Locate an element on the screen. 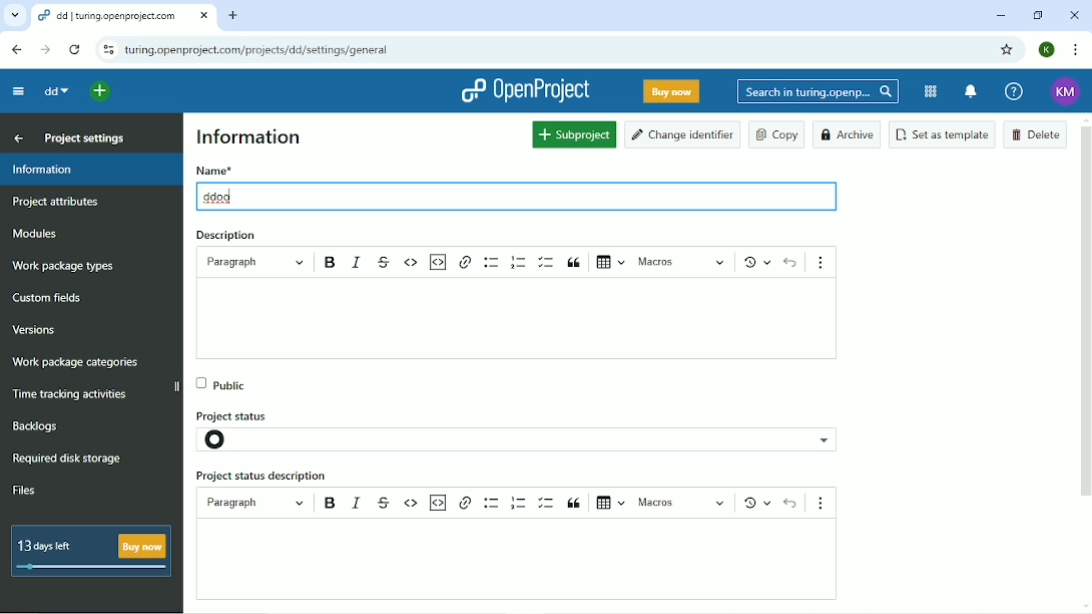 Image resolution: width=1092 pixels, height=614 pixels. Modules is located at coordinates (932, 91).